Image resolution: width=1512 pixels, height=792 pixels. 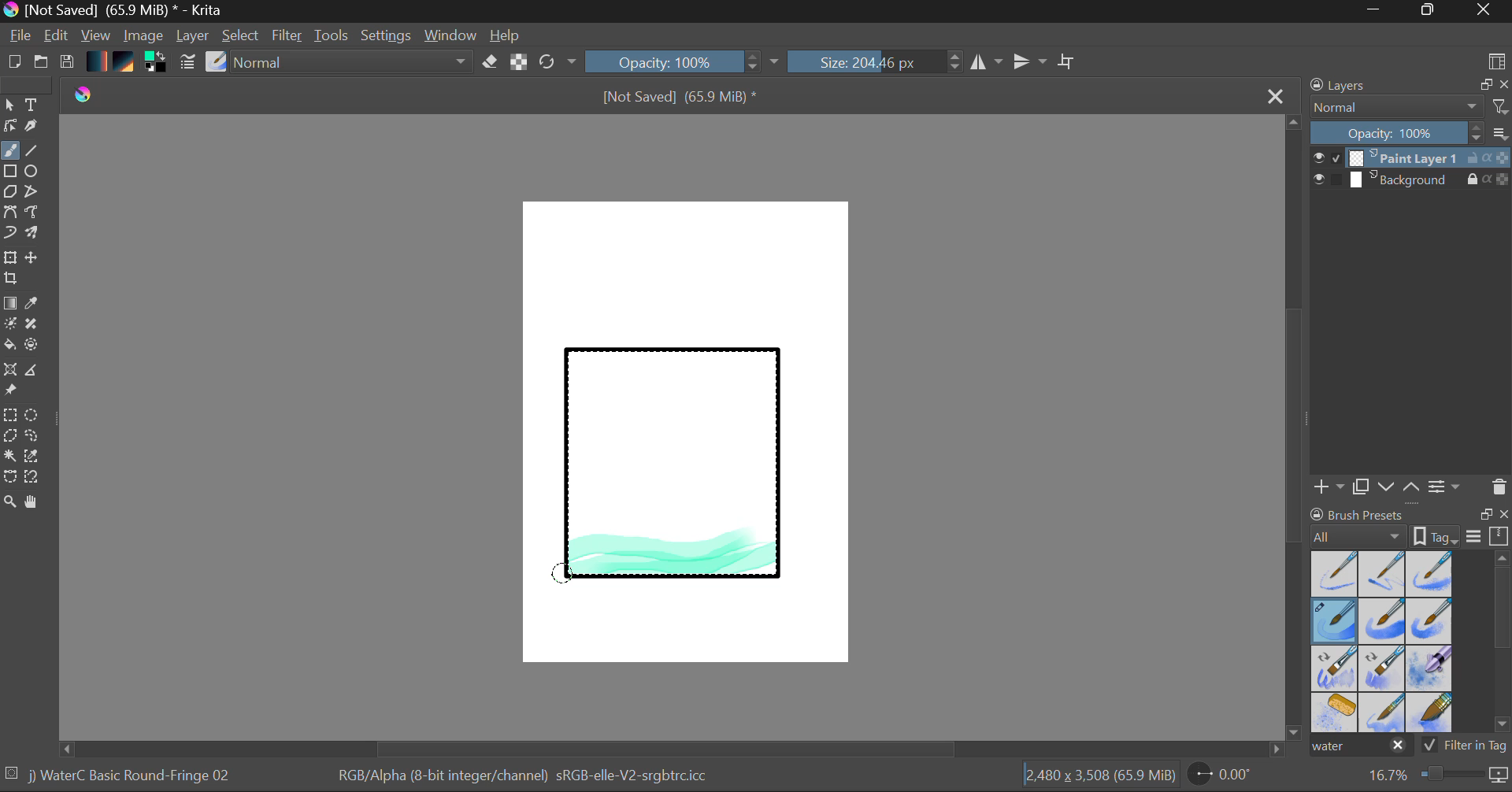 What do you see at coordinates (9, 372) in the screenshot?
I see `Smart Assistant` at bounding box center [9, 372].